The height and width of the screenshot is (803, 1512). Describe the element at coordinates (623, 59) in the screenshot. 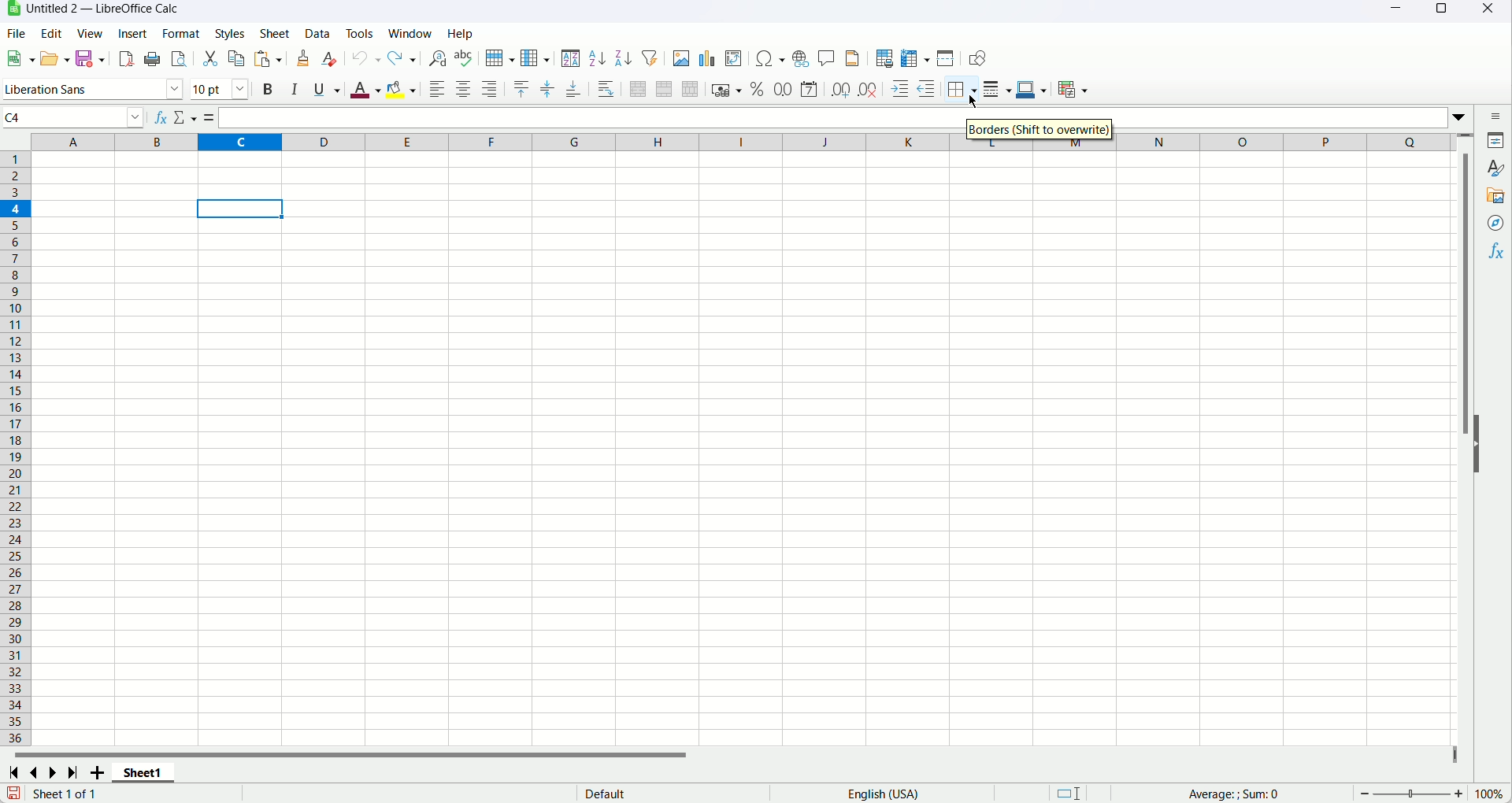

I see `Sort descending` at that location.